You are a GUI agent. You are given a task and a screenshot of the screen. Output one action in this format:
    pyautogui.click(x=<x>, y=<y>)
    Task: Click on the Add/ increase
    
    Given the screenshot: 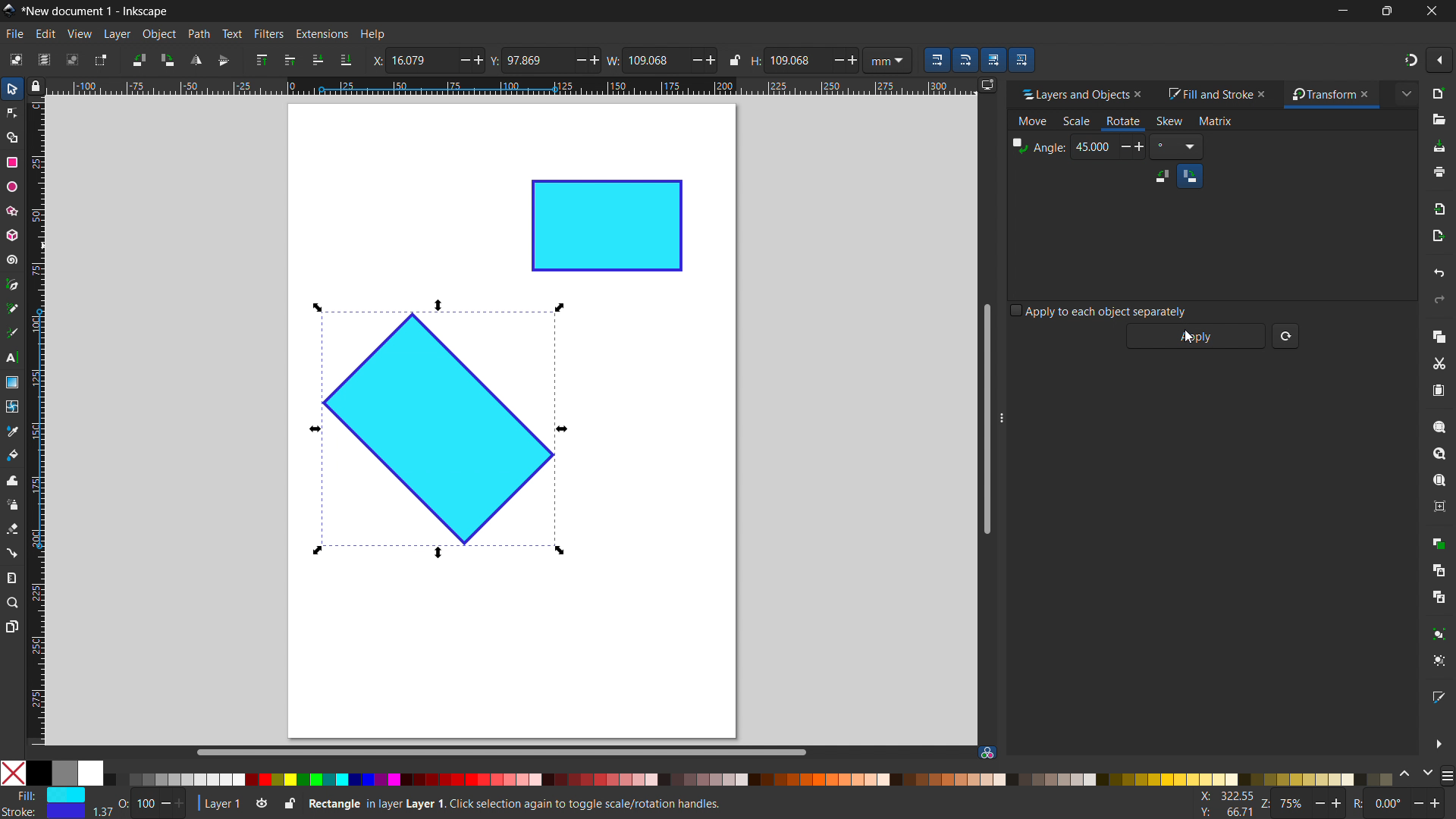 What is the action you would take?
    pyautogui.click(x=853, y=58)
    